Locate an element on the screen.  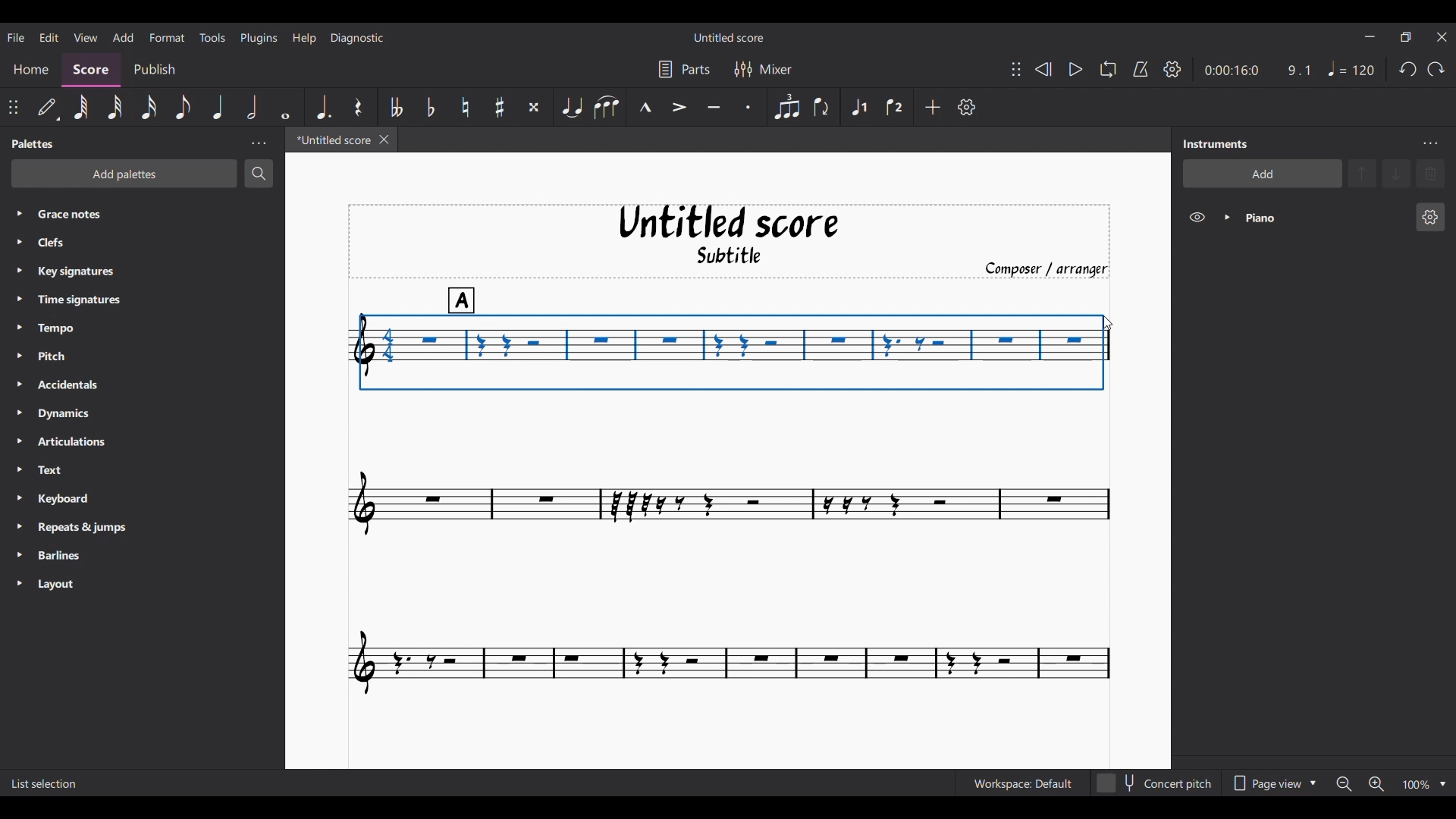
Voice 1 is located at coordinates (858, 108).